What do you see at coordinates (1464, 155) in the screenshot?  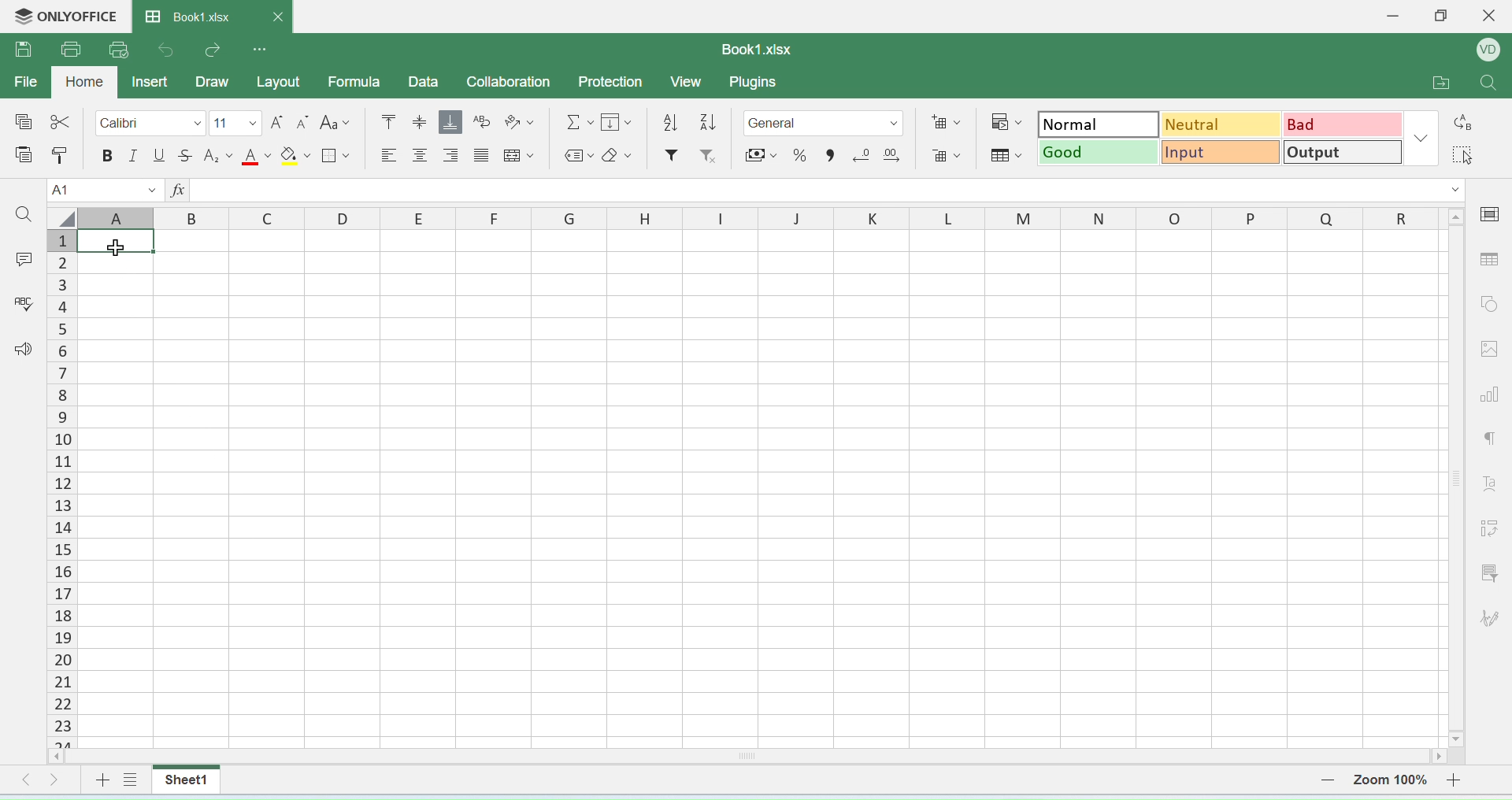 I see `select` at bounding box center [1464, 155].